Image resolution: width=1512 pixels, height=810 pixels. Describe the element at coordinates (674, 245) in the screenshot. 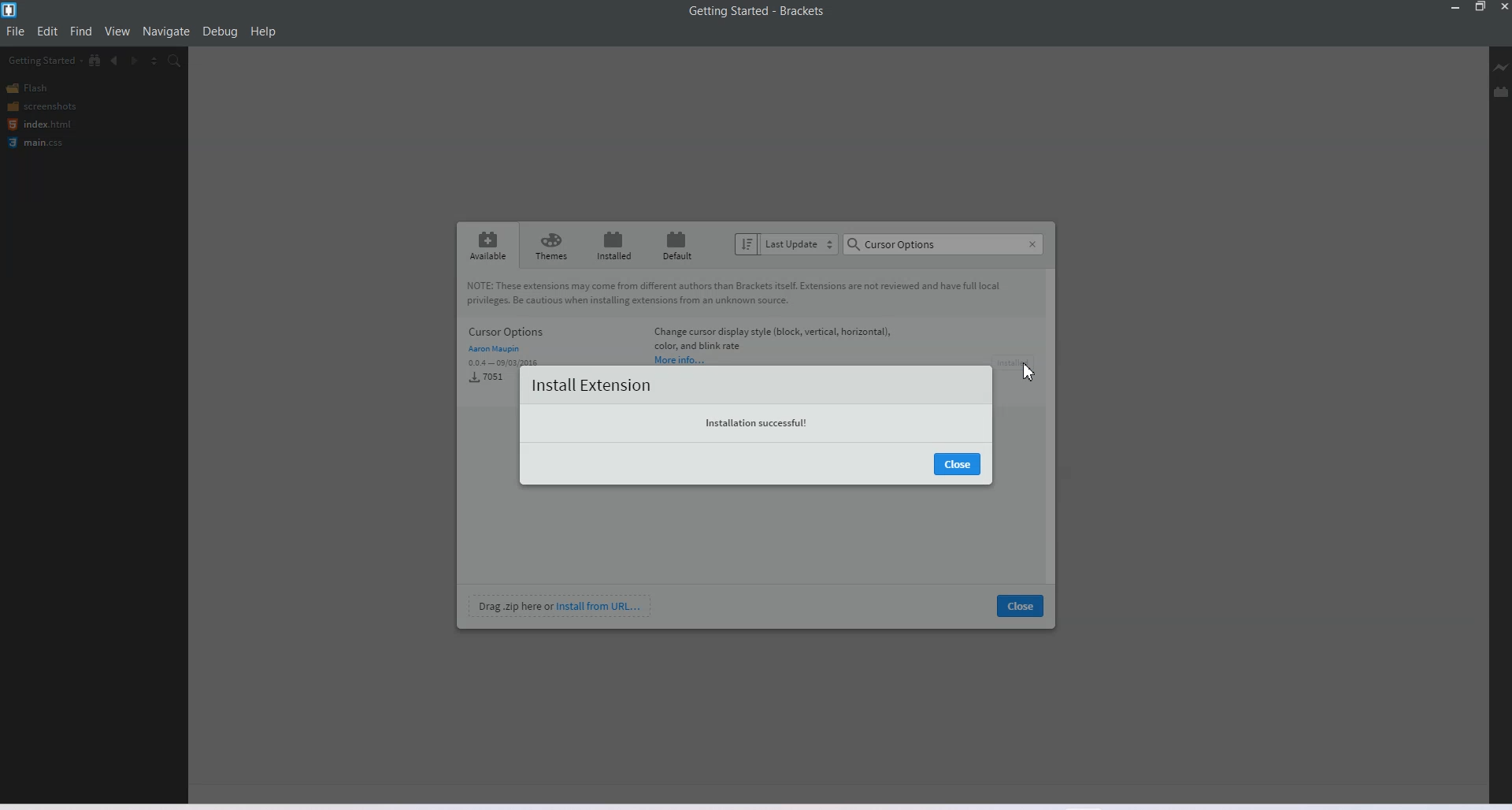

I see `default` at that location.